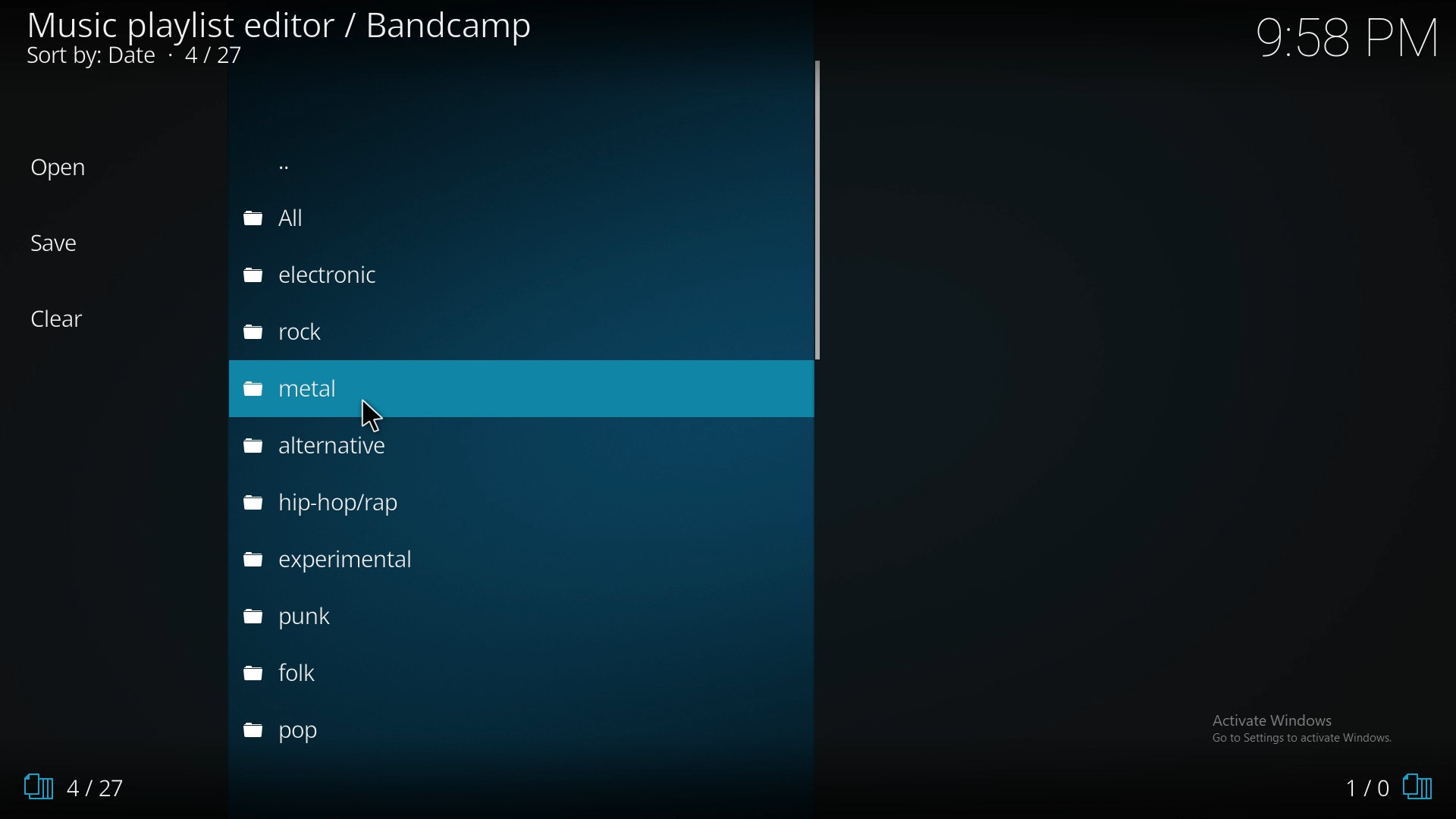 The image size is (1456, 819). I want to click on music genre, so click(348, 731).